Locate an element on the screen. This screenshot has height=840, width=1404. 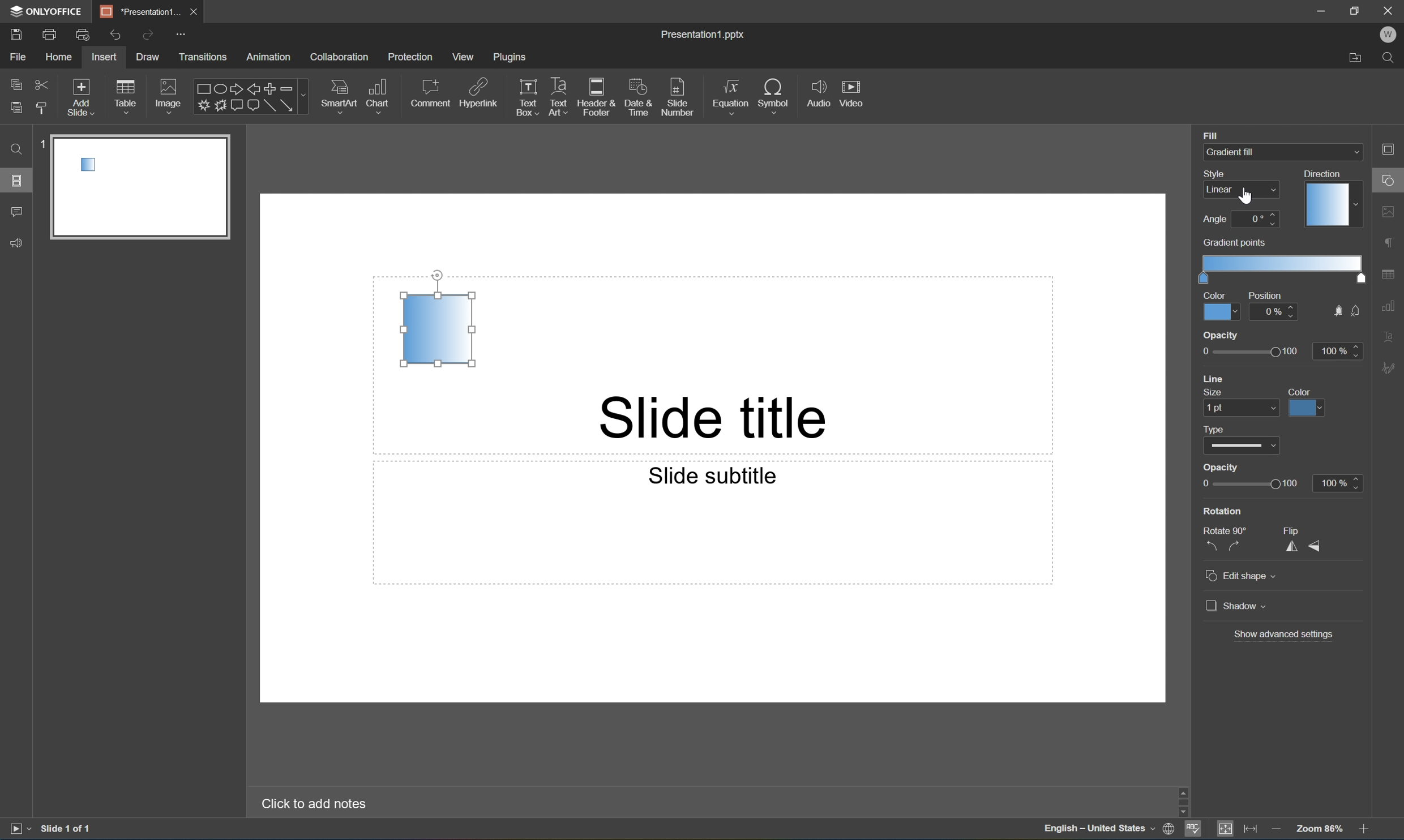
Add Slide is located at coordinates (82, 98).